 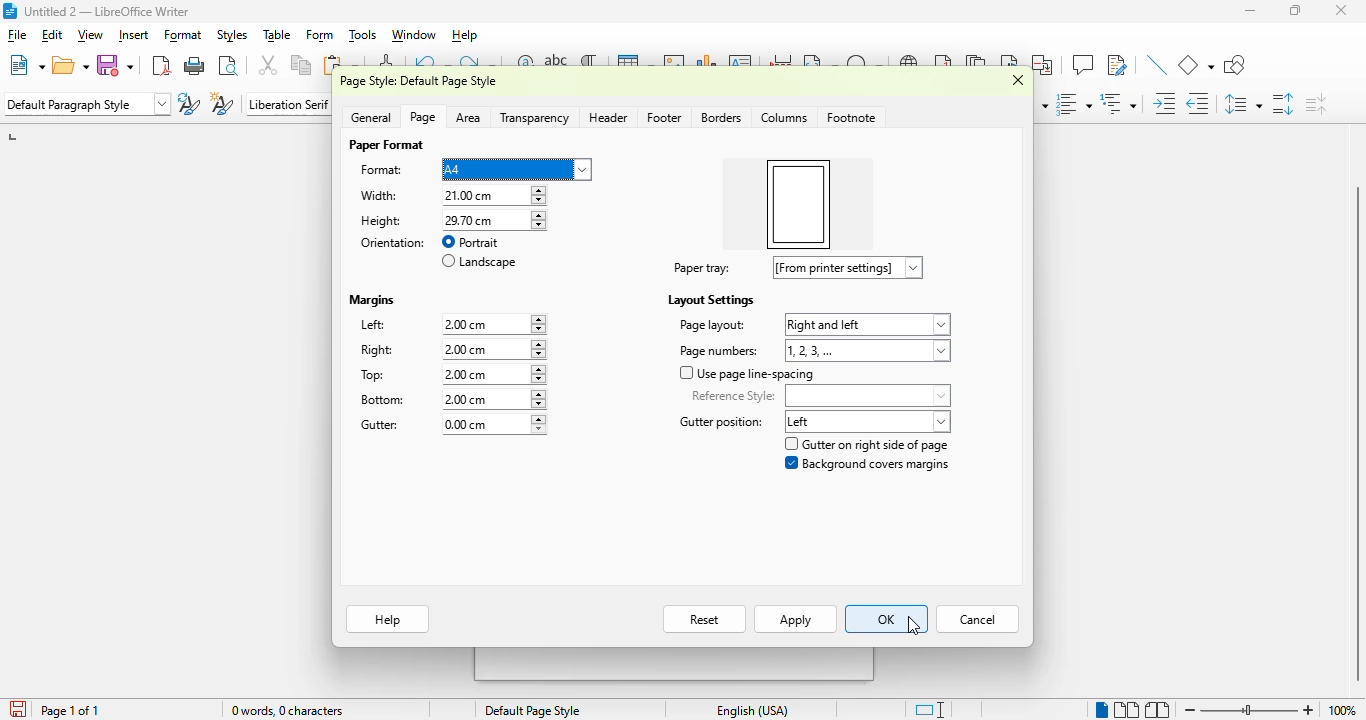 What do you see at coordinates (1156, 710) in the screenshot?
I see `book view` at bounding box center [1156, 710].